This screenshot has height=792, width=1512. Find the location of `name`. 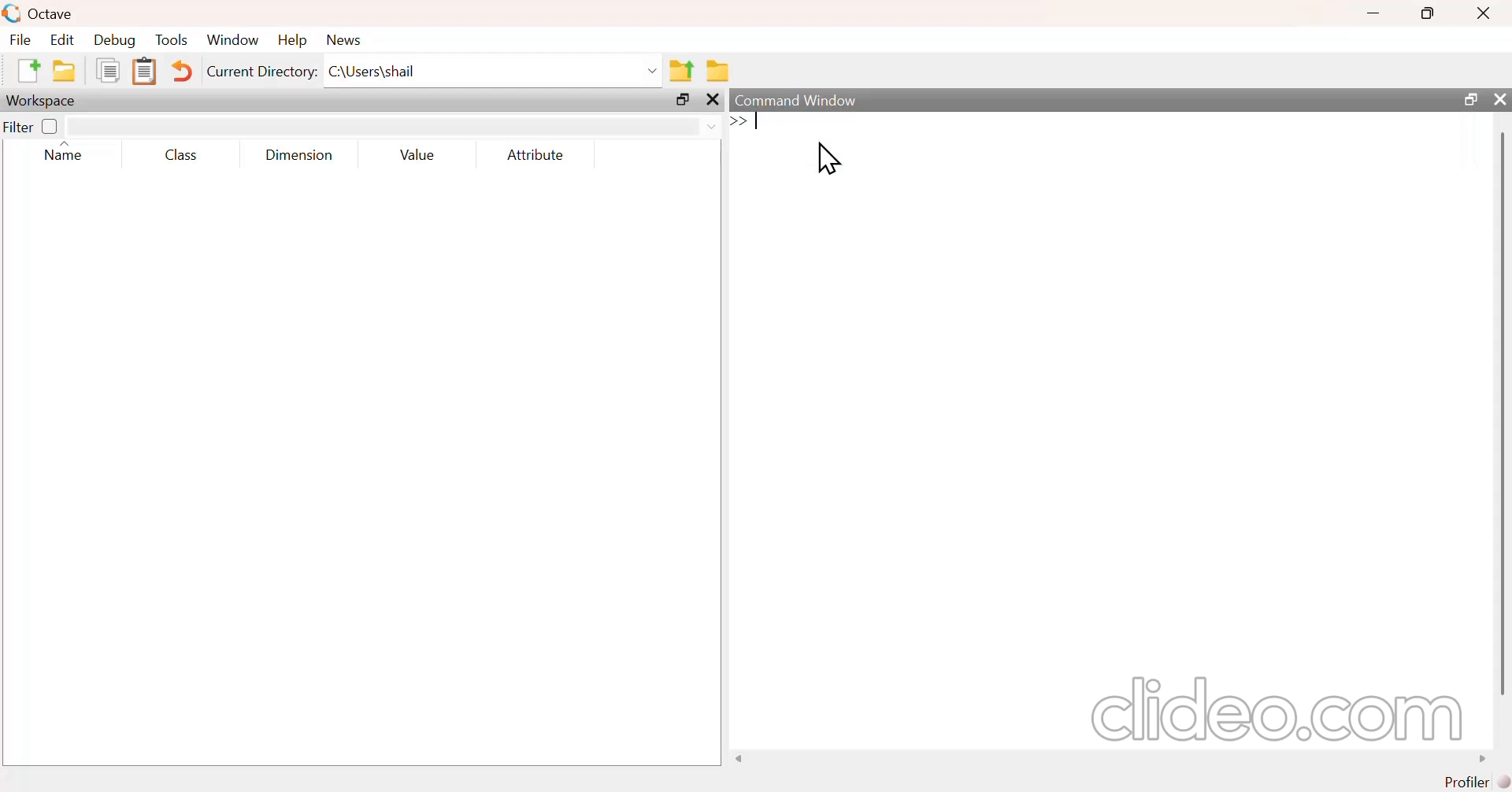

name is located at coordinates (60, 155).